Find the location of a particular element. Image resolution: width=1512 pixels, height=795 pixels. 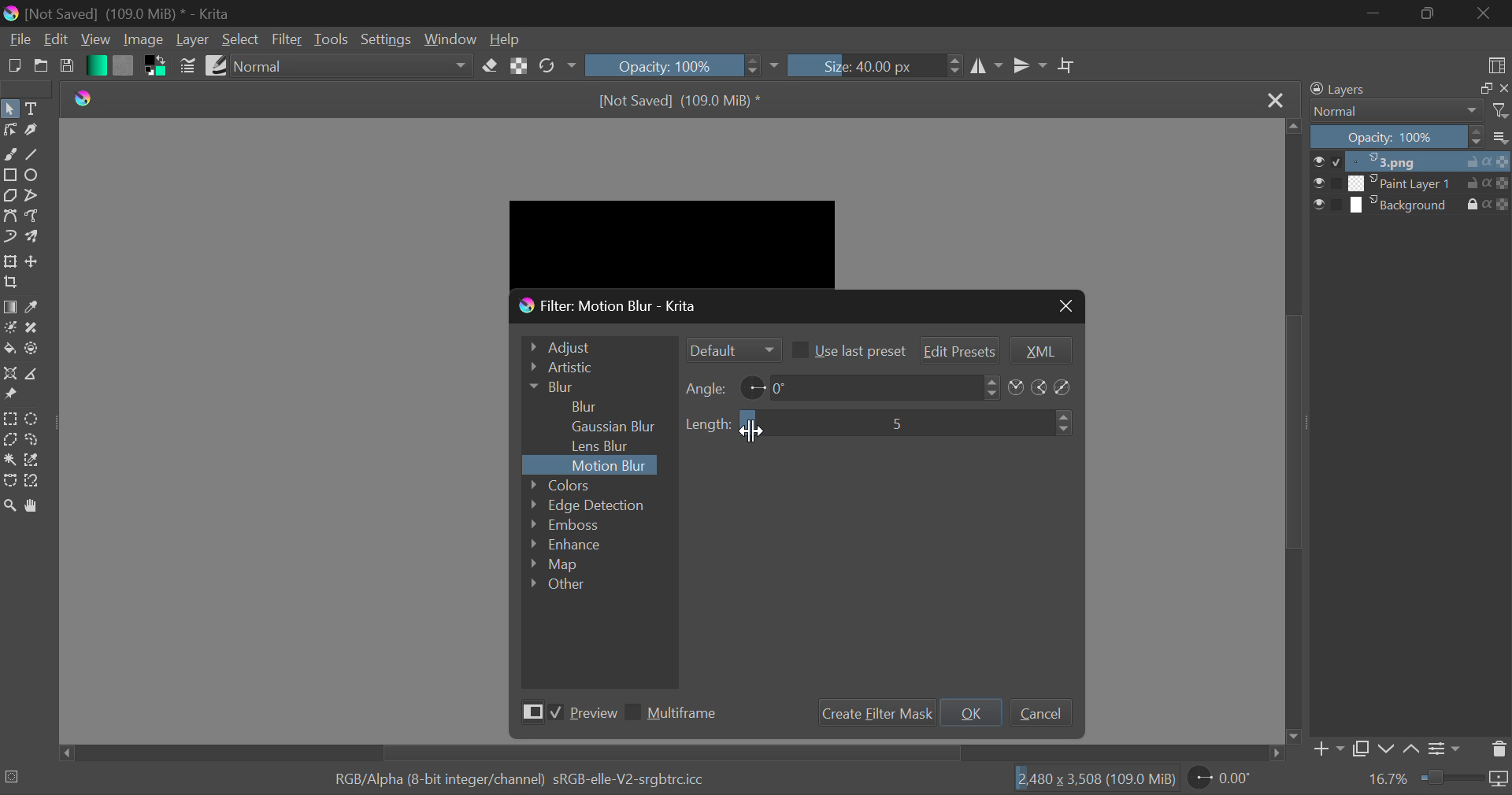

Create Filter Mask is located at coordinates (873, 713).